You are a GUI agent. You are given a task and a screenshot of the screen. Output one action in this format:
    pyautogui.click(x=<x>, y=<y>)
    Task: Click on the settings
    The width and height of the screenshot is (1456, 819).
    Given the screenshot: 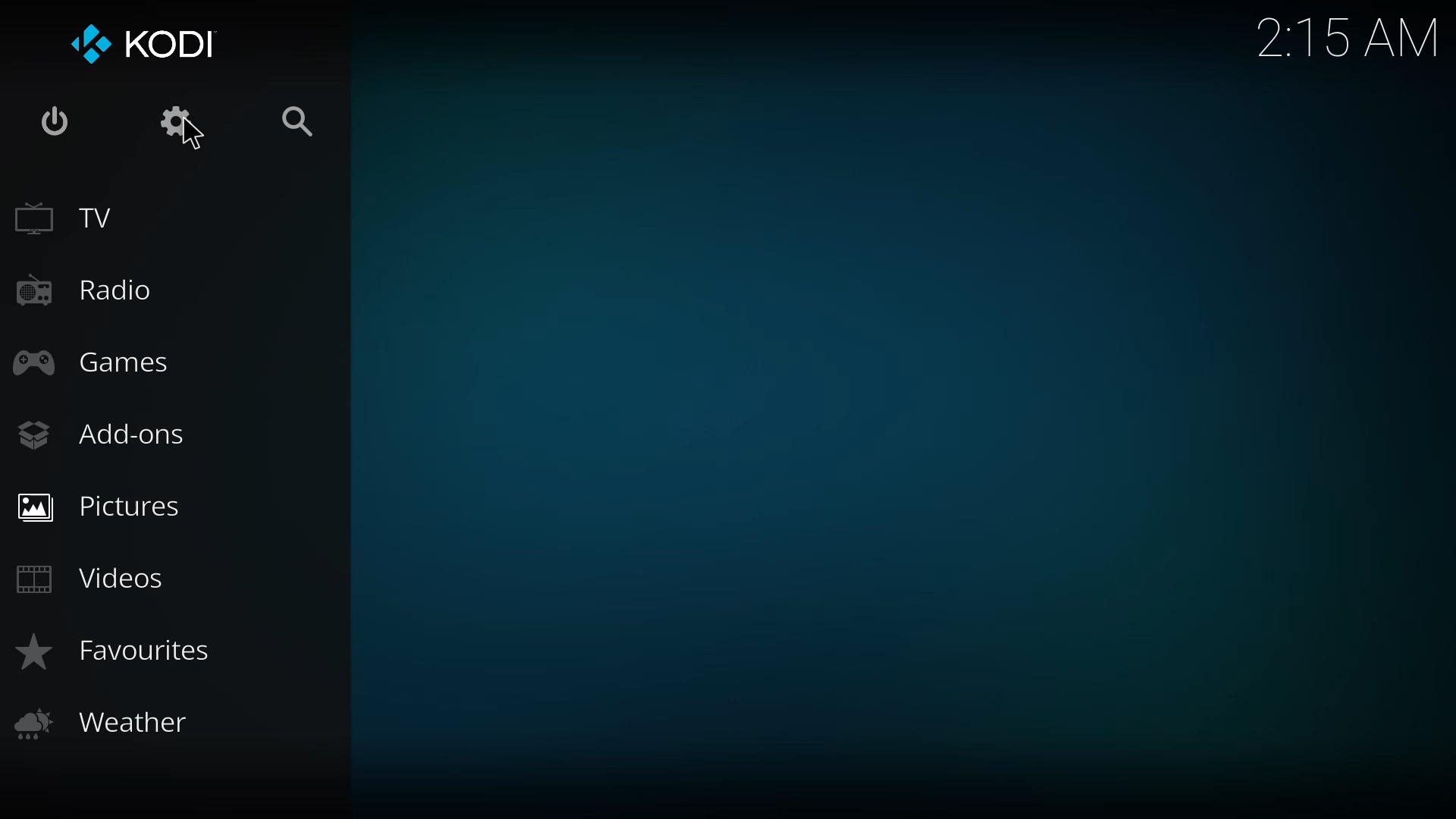 What is the action you would take?
    pyautogui.click(x=178, y=121)
    